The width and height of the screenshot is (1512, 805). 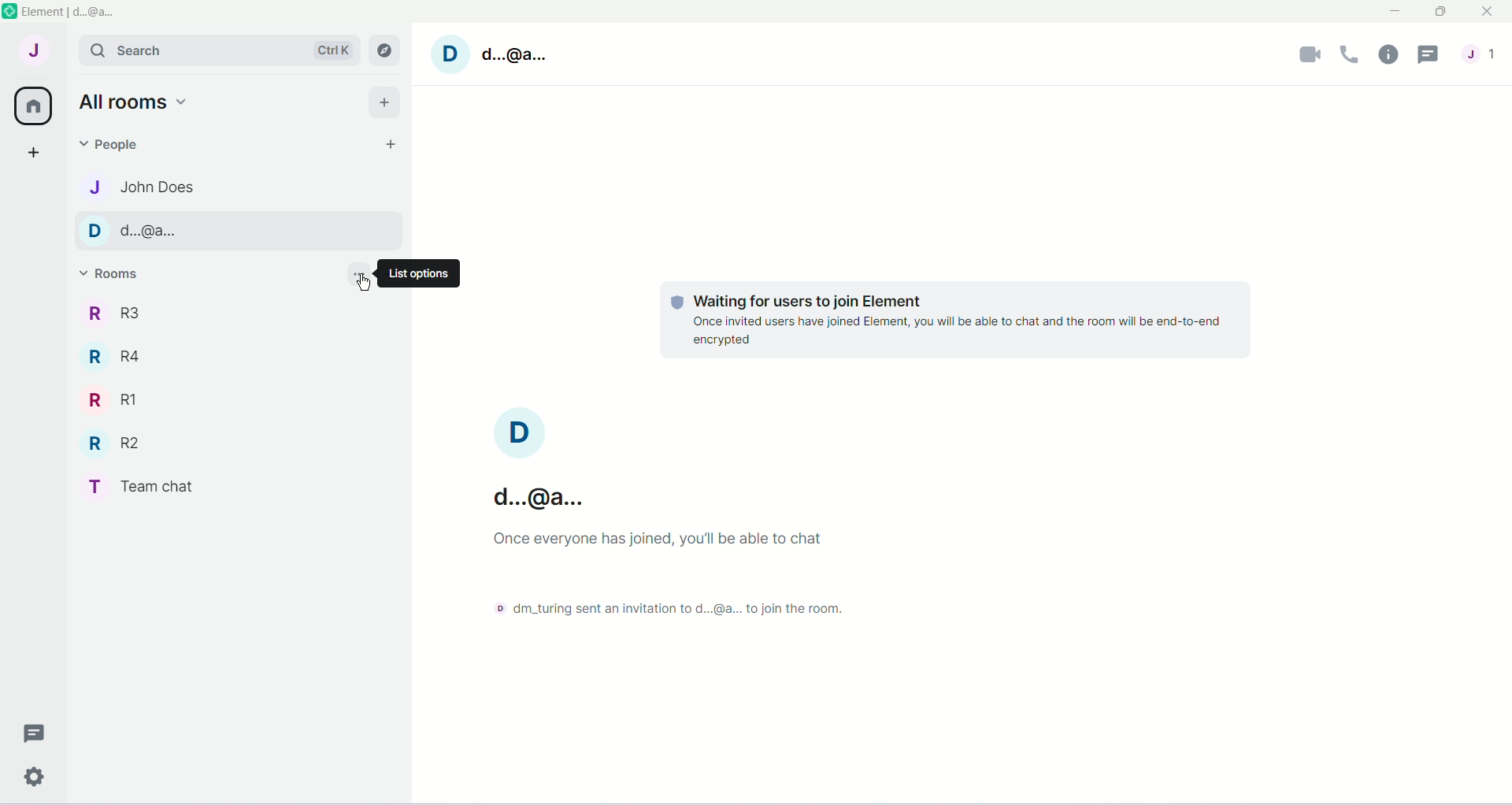 What do you see at coordinates (31, 733) in the screenshot?
I see `Threads` at bounding box center [31, 733].